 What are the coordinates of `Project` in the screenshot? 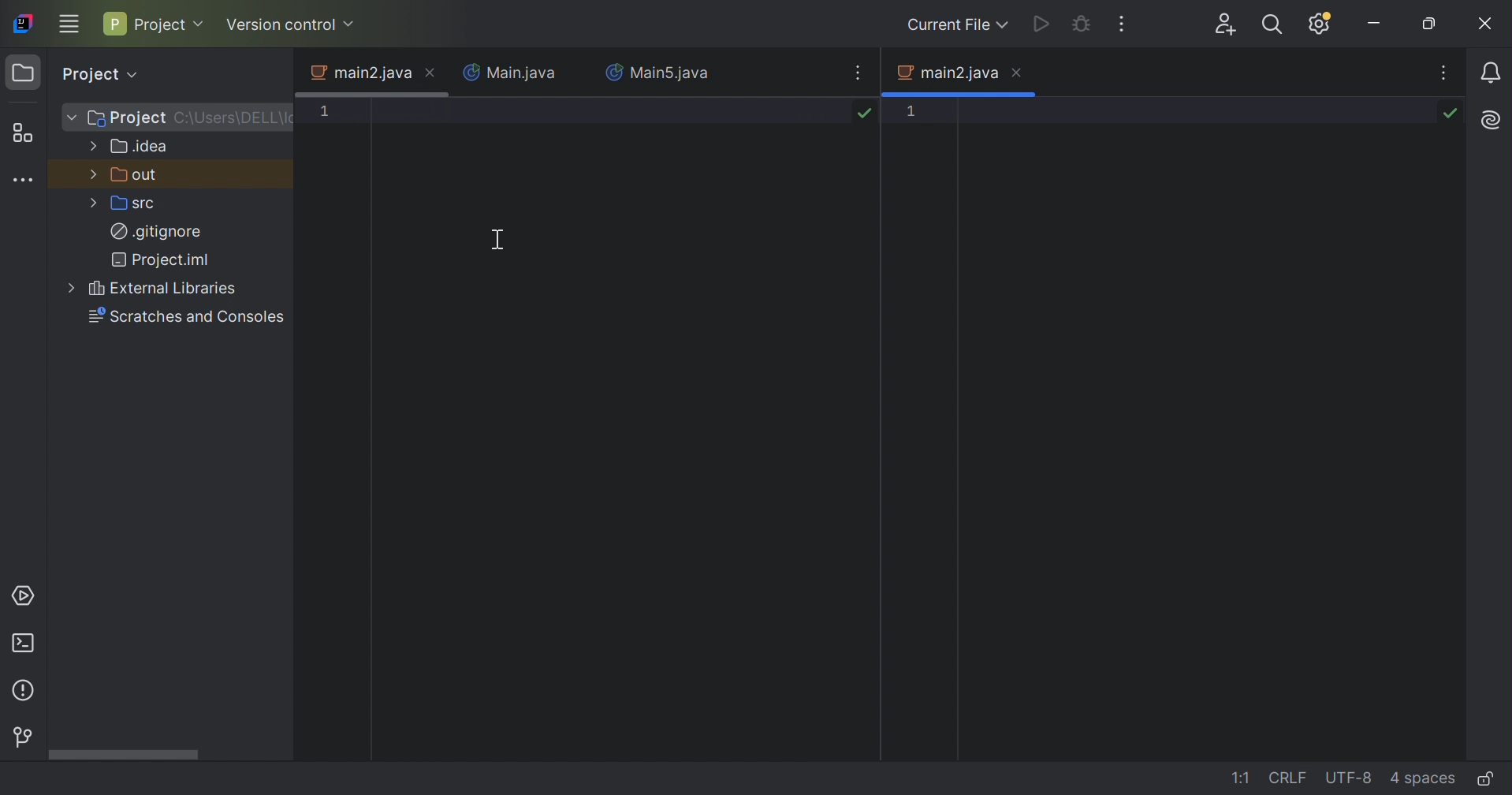 It's located at (102, 74).